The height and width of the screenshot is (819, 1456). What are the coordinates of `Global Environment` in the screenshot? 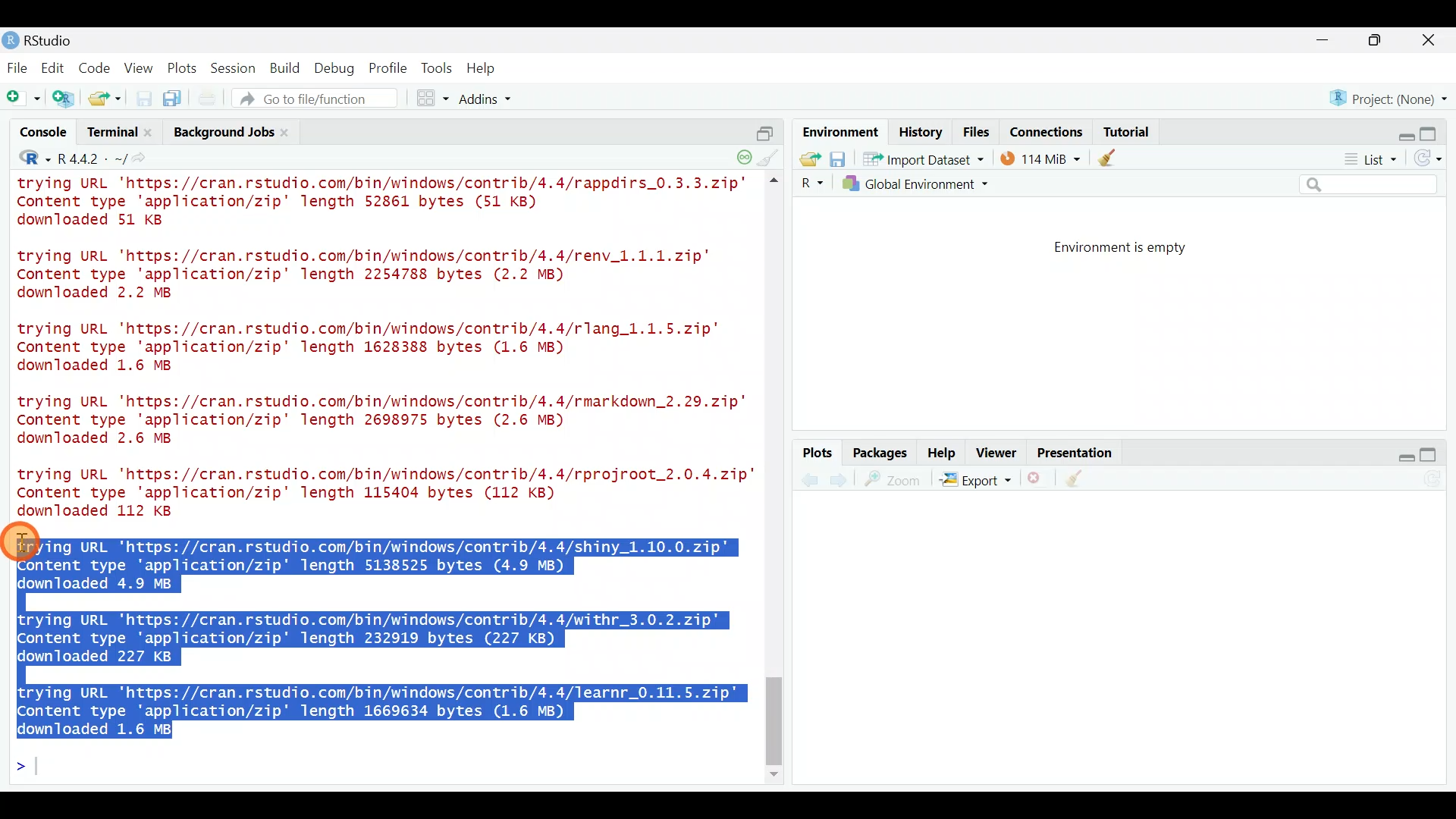 It's located at (927, 184).